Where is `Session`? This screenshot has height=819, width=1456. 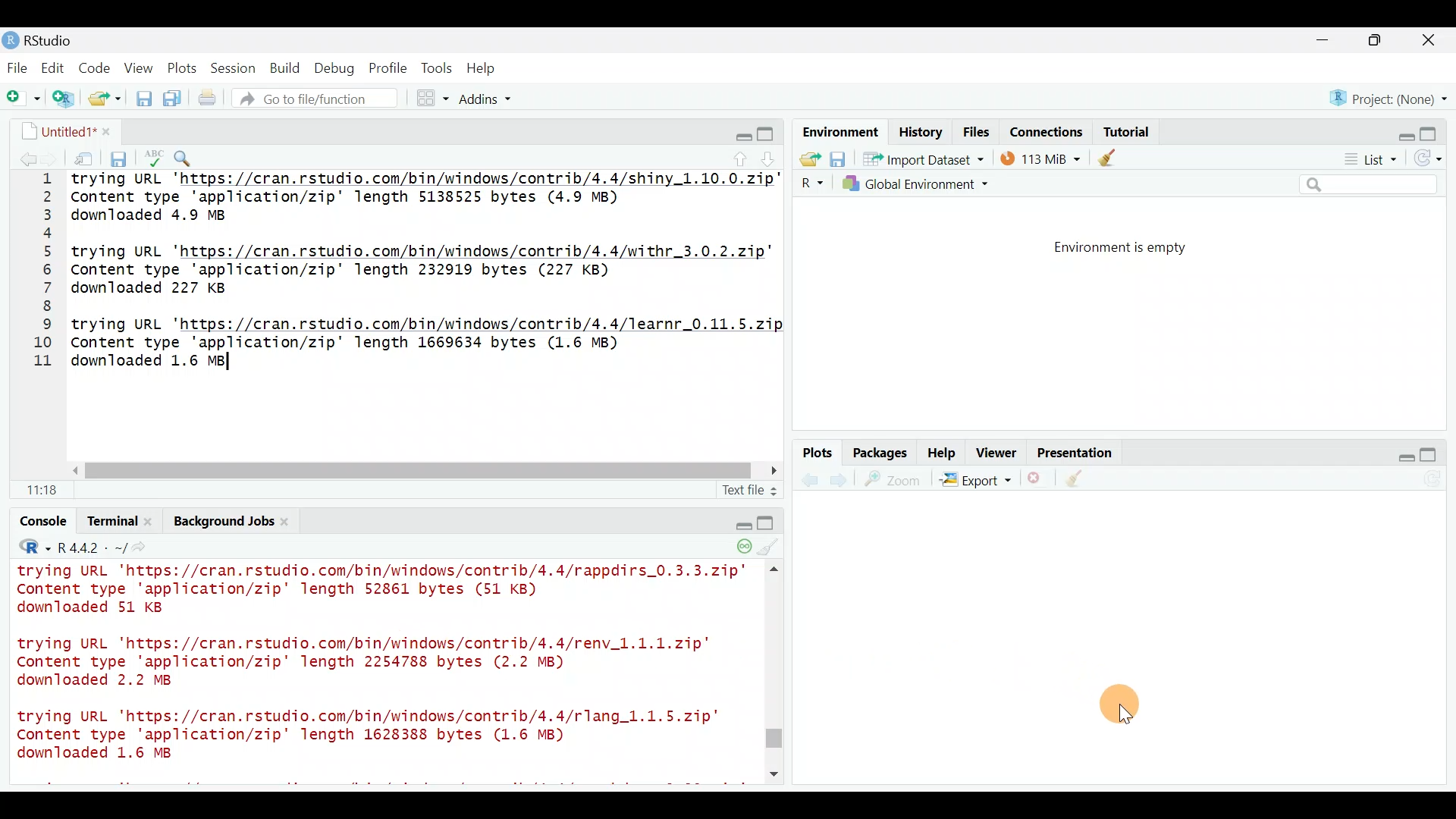
Session is located at coordinates (236, 67).